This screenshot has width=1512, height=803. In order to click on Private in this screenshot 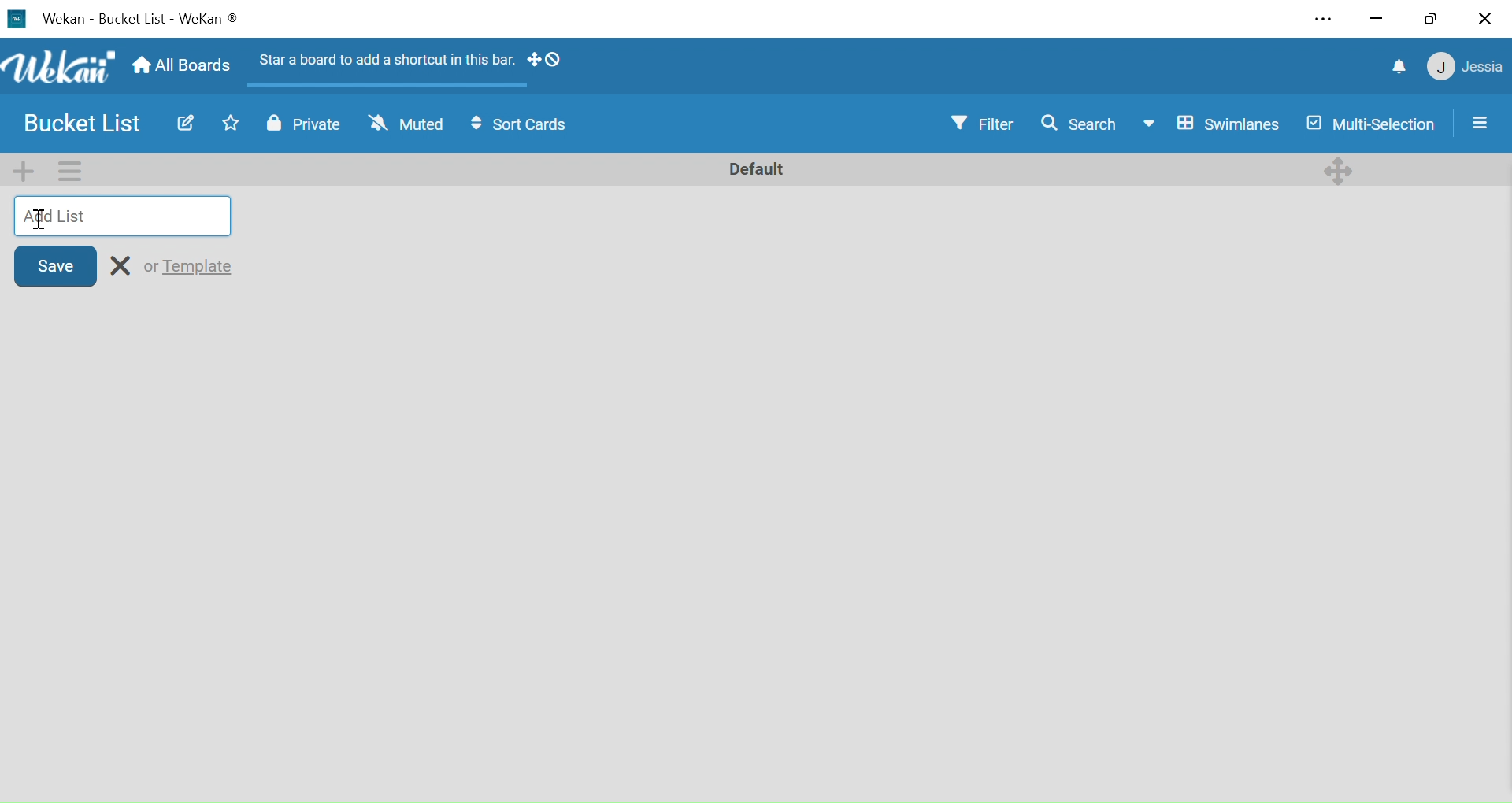, I will do `click(304, 127)`.